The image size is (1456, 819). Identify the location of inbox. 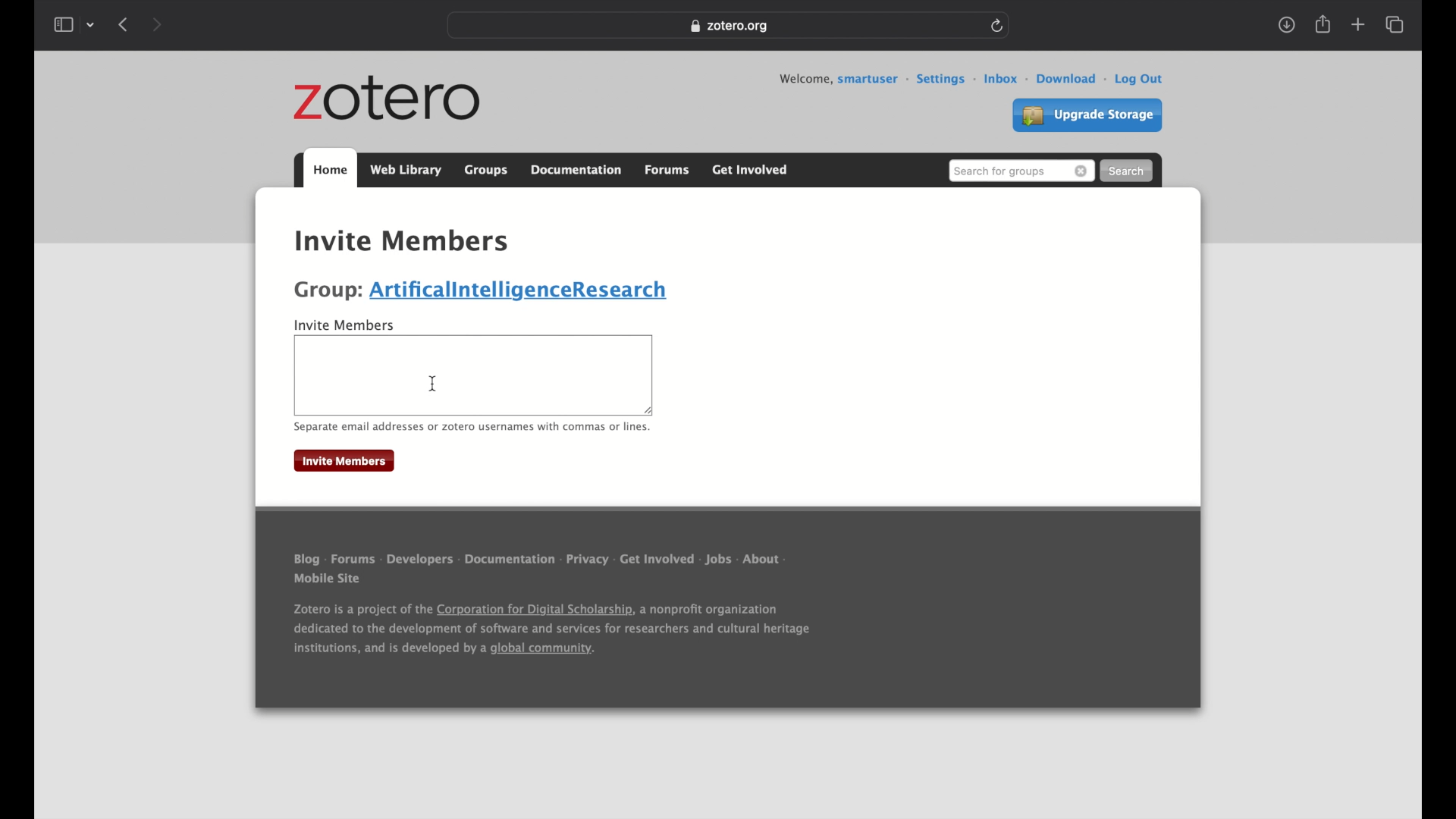
(1006, 80).